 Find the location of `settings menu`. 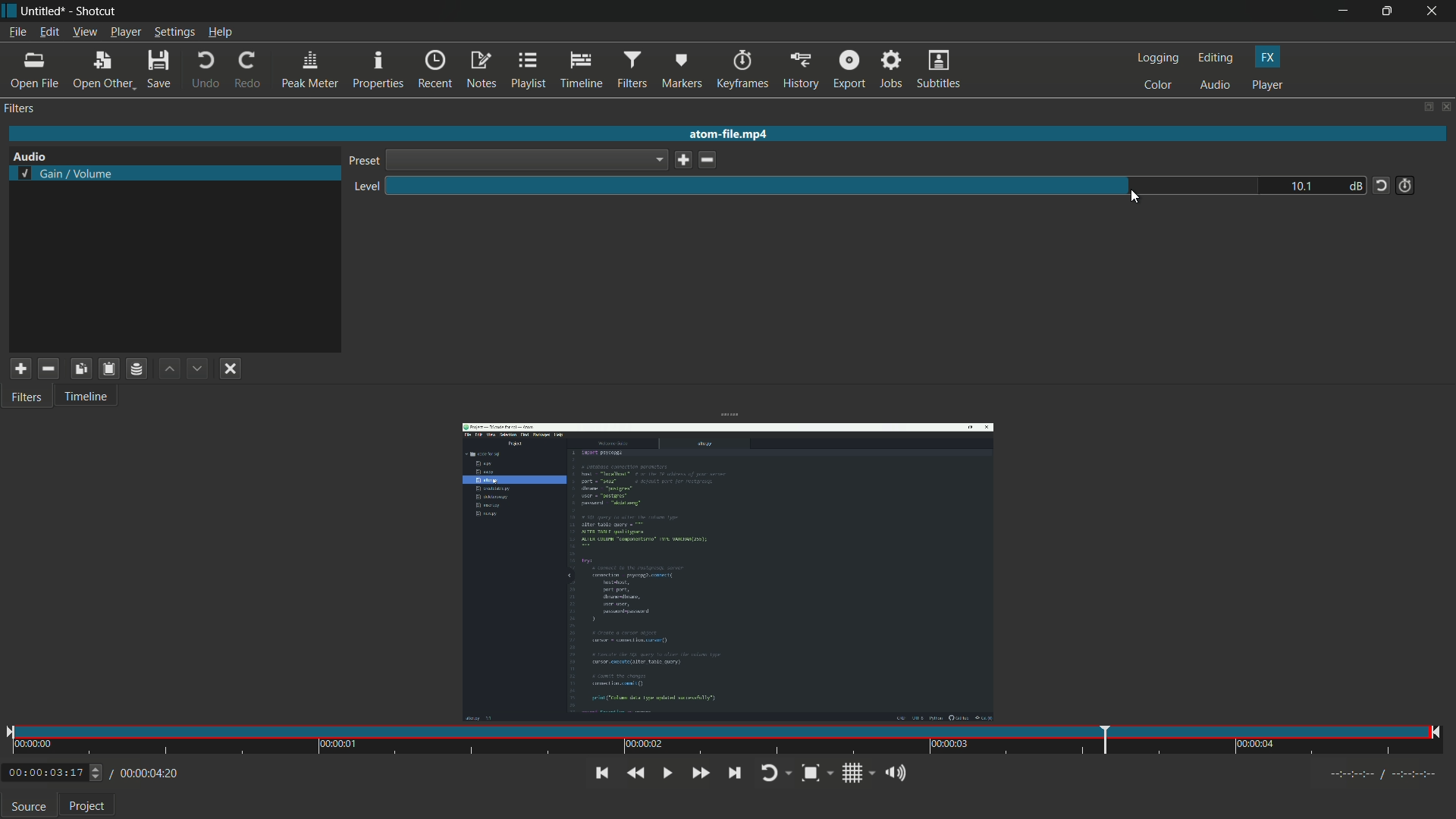

settings menu is located at coordinates (174, 32).